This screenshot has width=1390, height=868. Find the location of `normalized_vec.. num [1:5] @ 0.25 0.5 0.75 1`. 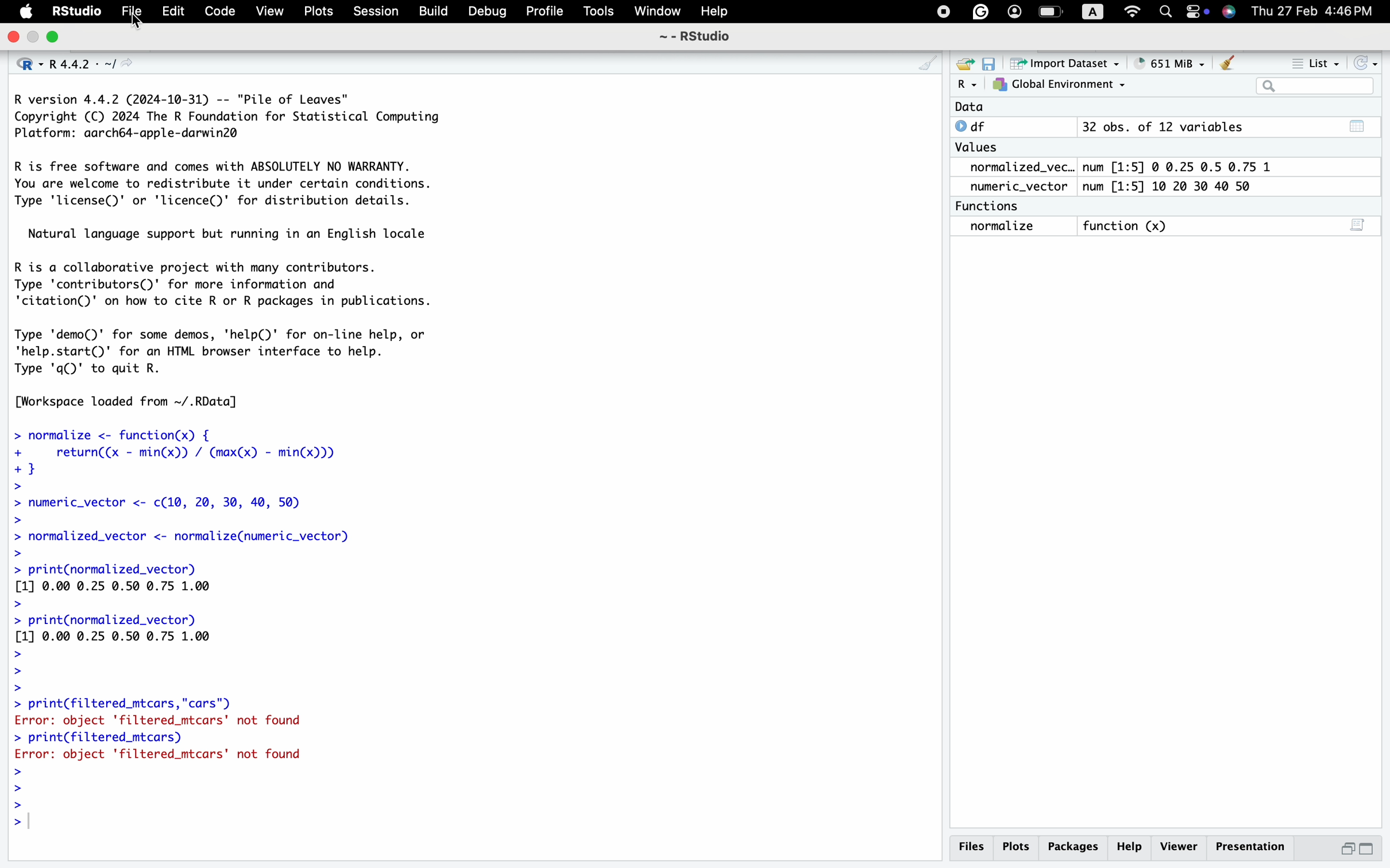

normalized_vec.. num [1:5] @ 0.25 0.5 0.75 1 is located at coordinates (1125, 166).